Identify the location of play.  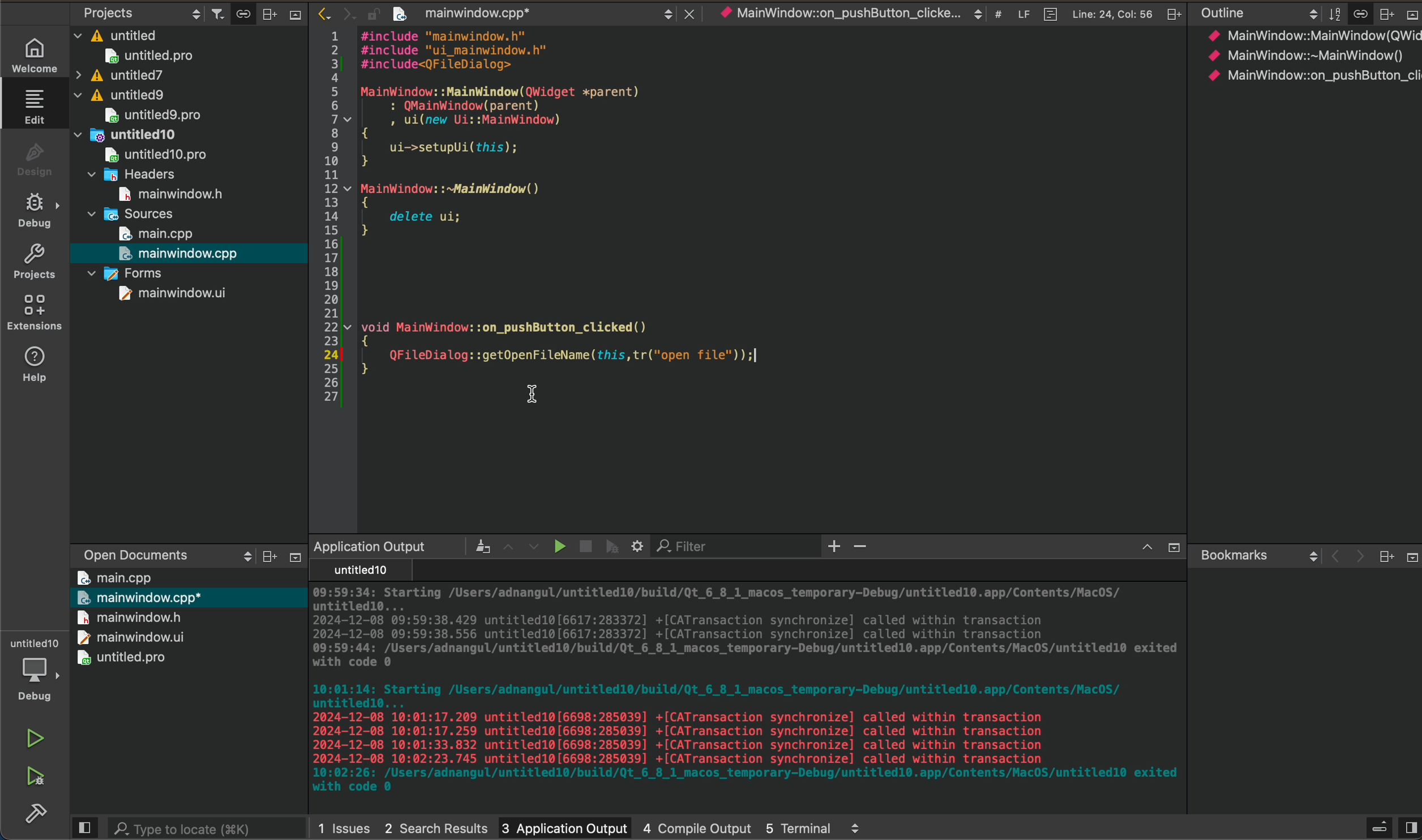
(556, 546).